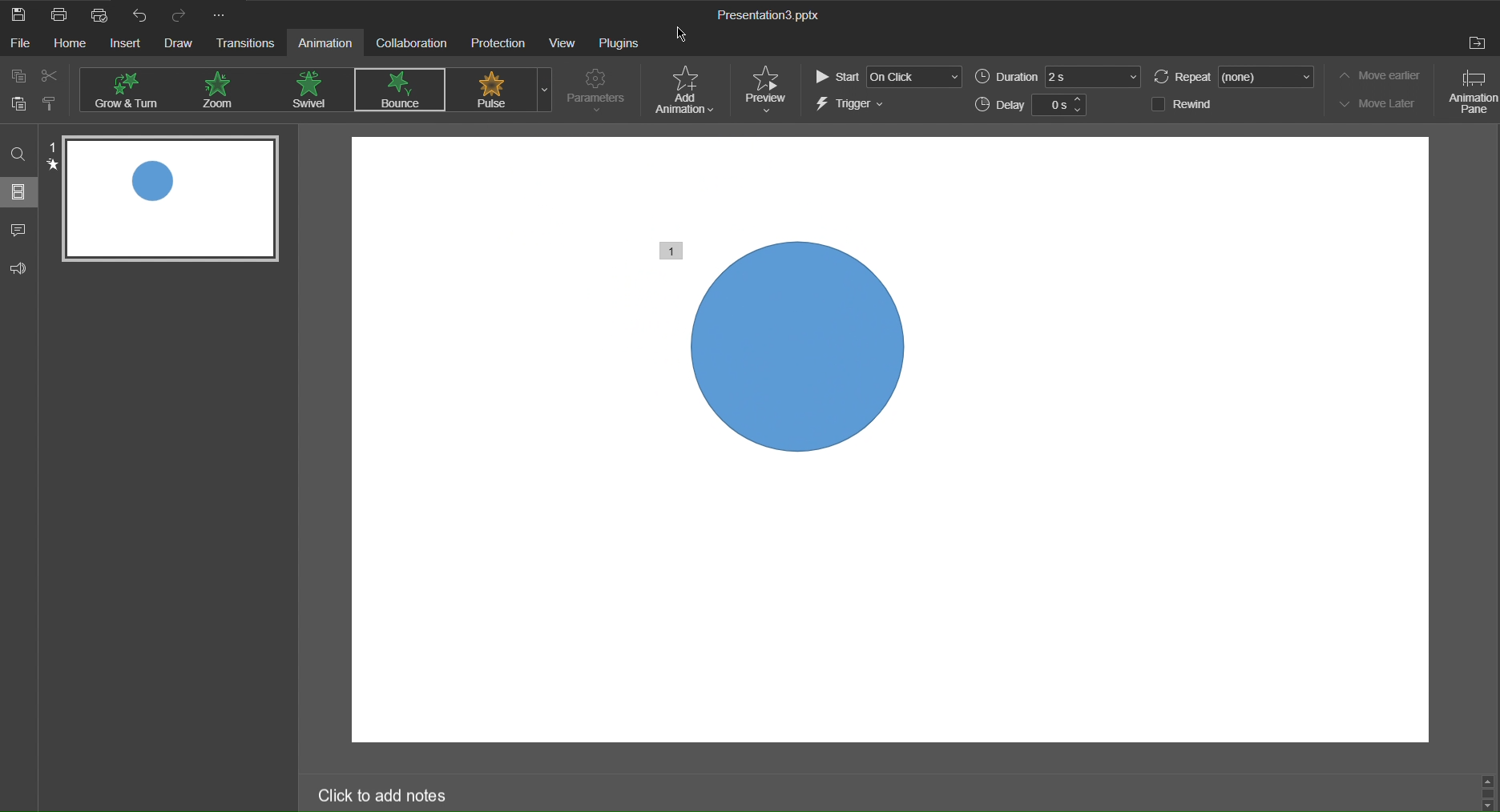  Describe the element at coordinates (916, 77) in the screenshot. I see `On Click` at that location.